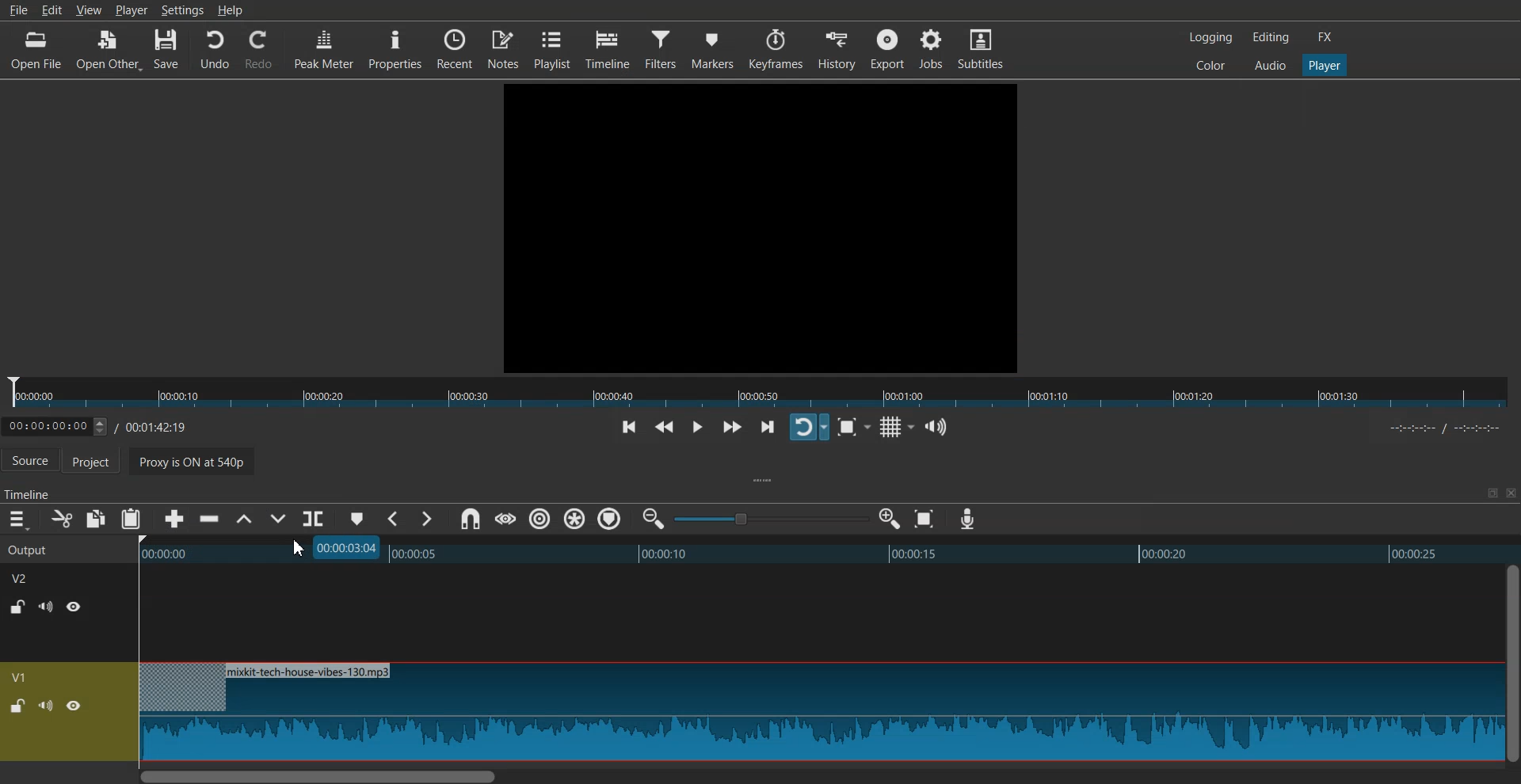 Image resolution: width=1521 pixels, height=784 pixels. What do you see at coordinates (981, 48) in the screenshot?
I see `Subtitles` at bounding box center [981, 48].